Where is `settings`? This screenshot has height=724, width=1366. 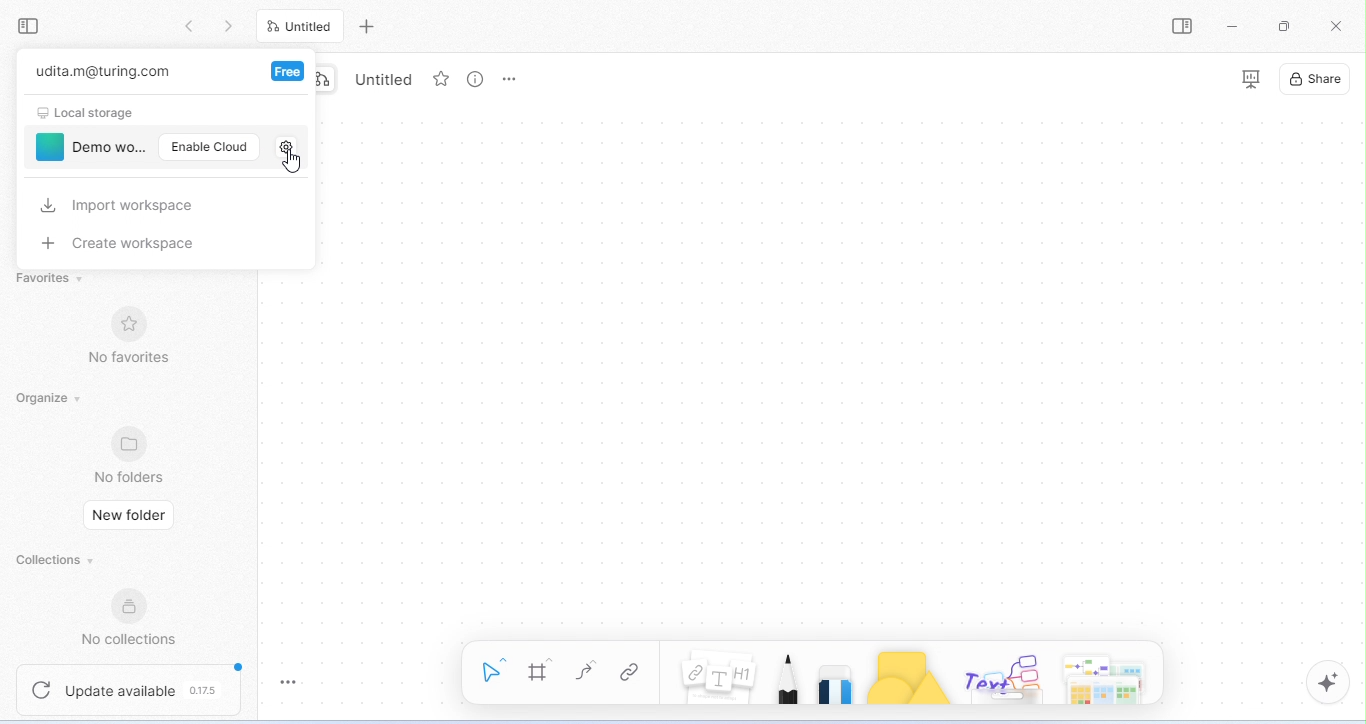
settings is located at coordinates (287, 147).